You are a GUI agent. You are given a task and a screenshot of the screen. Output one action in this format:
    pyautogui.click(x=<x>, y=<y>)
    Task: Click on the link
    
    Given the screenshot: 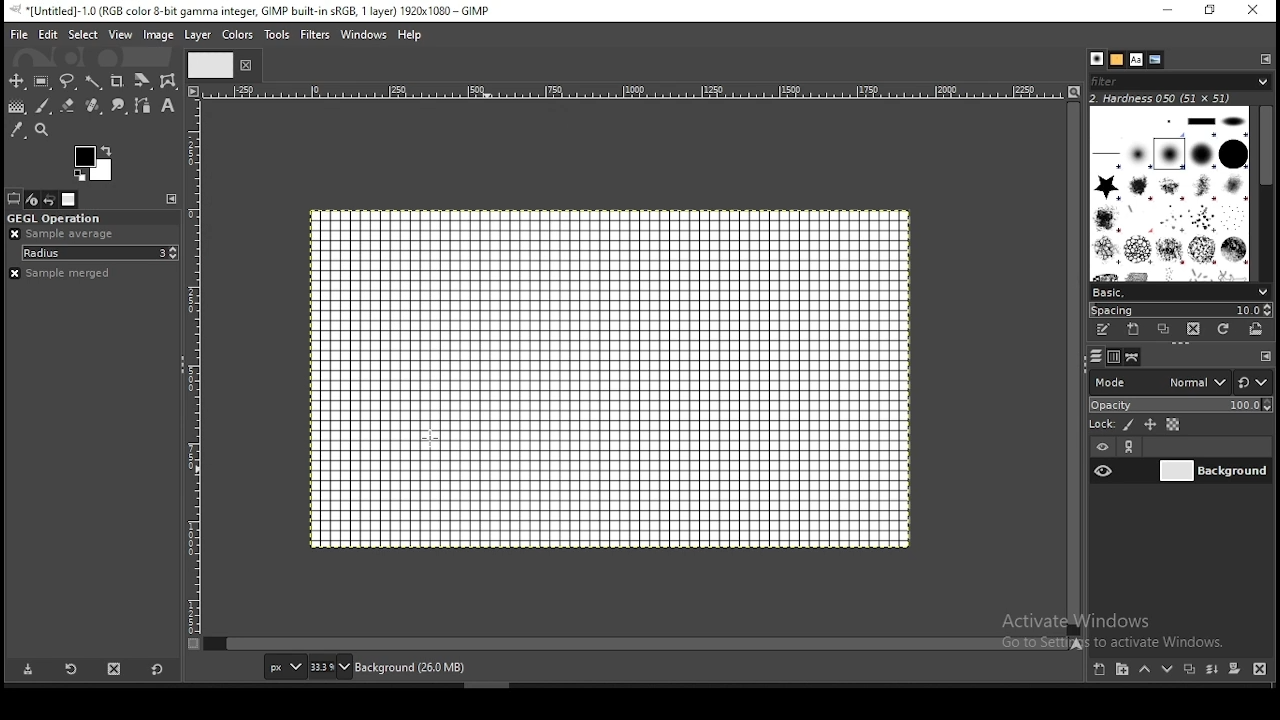 What is the action you would take?
    pyautogui.click(x=1133, y=446)
    